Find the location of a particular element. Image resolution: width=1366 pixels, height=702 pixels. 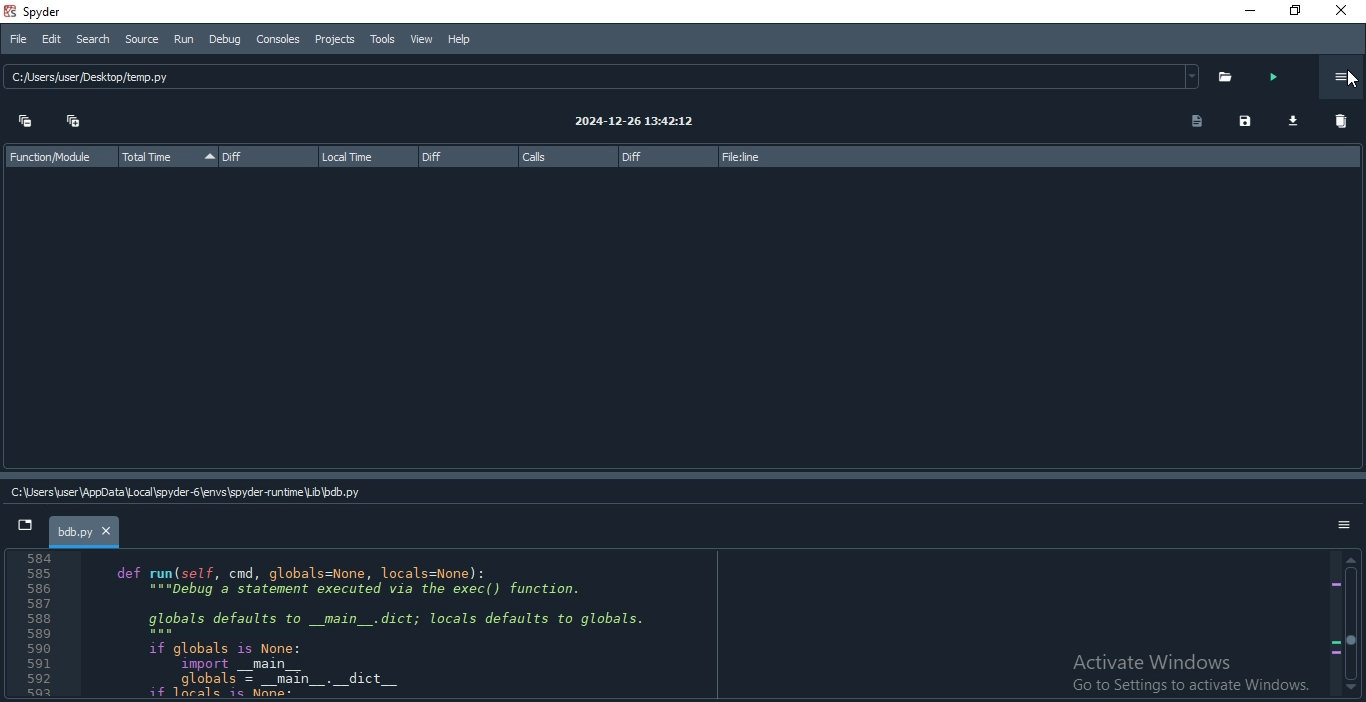

minimise is located at coordinates (1248, 13).